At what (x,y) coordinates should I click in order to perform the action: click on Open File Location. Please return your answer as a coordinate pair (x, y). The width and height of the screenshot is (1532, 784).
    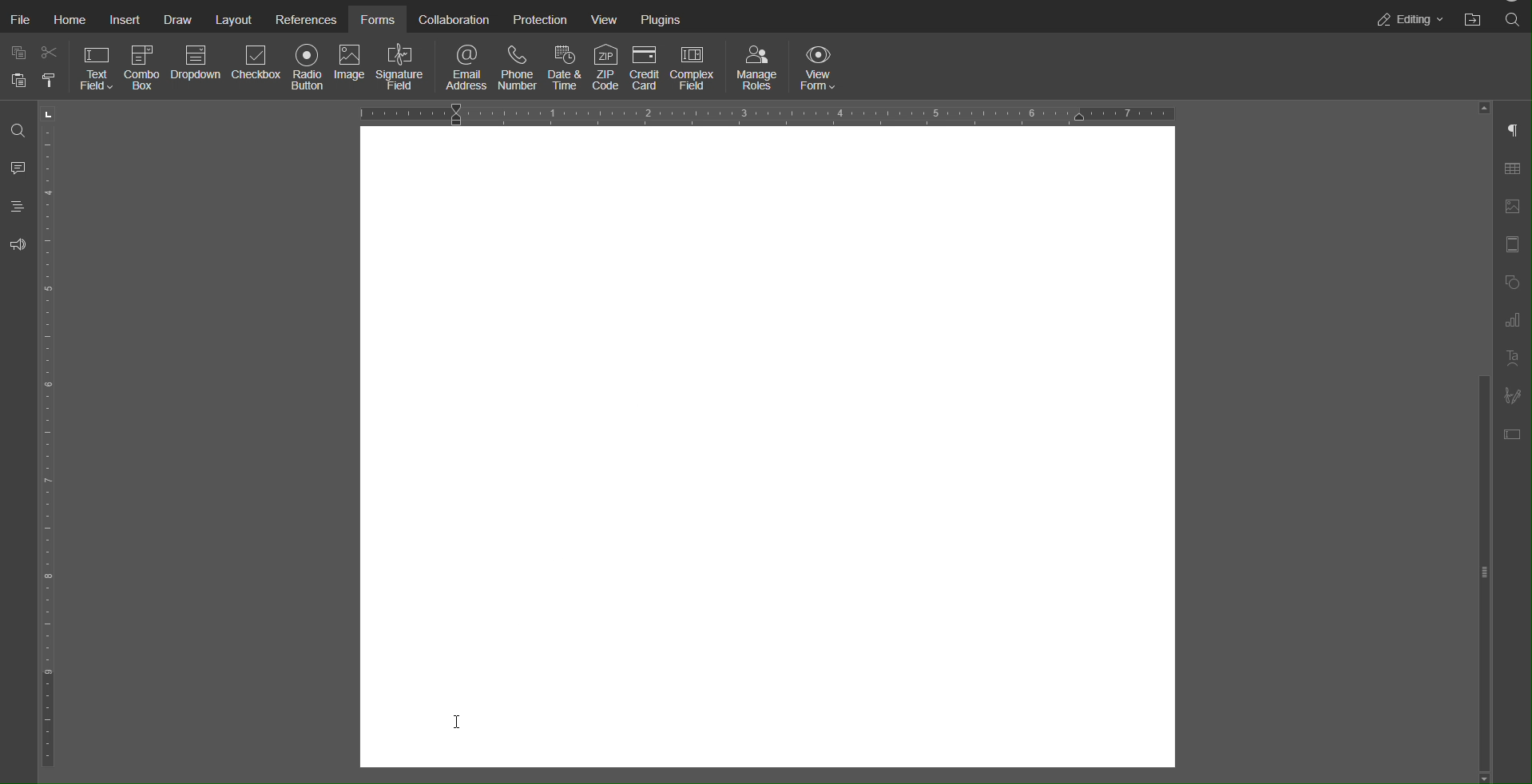
    Looking at the image, I should click on (1473, 20).